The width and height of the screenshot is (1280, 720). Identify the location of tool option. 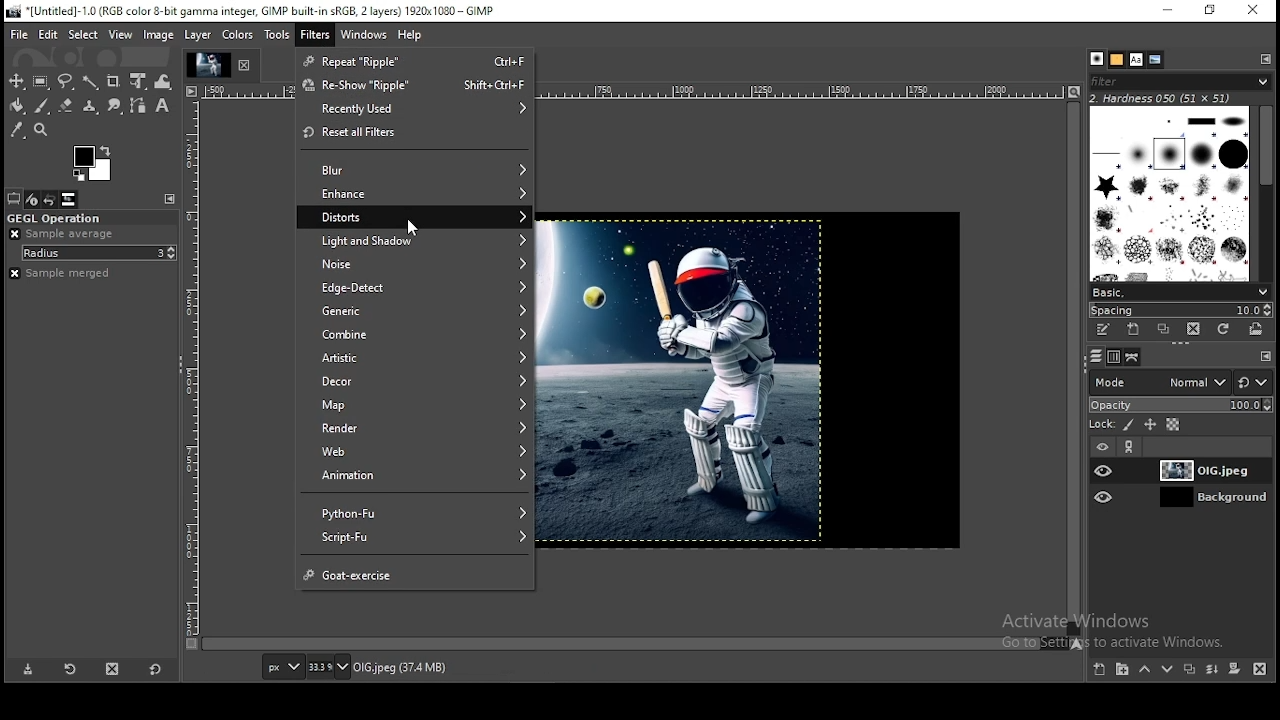
(14, 199).